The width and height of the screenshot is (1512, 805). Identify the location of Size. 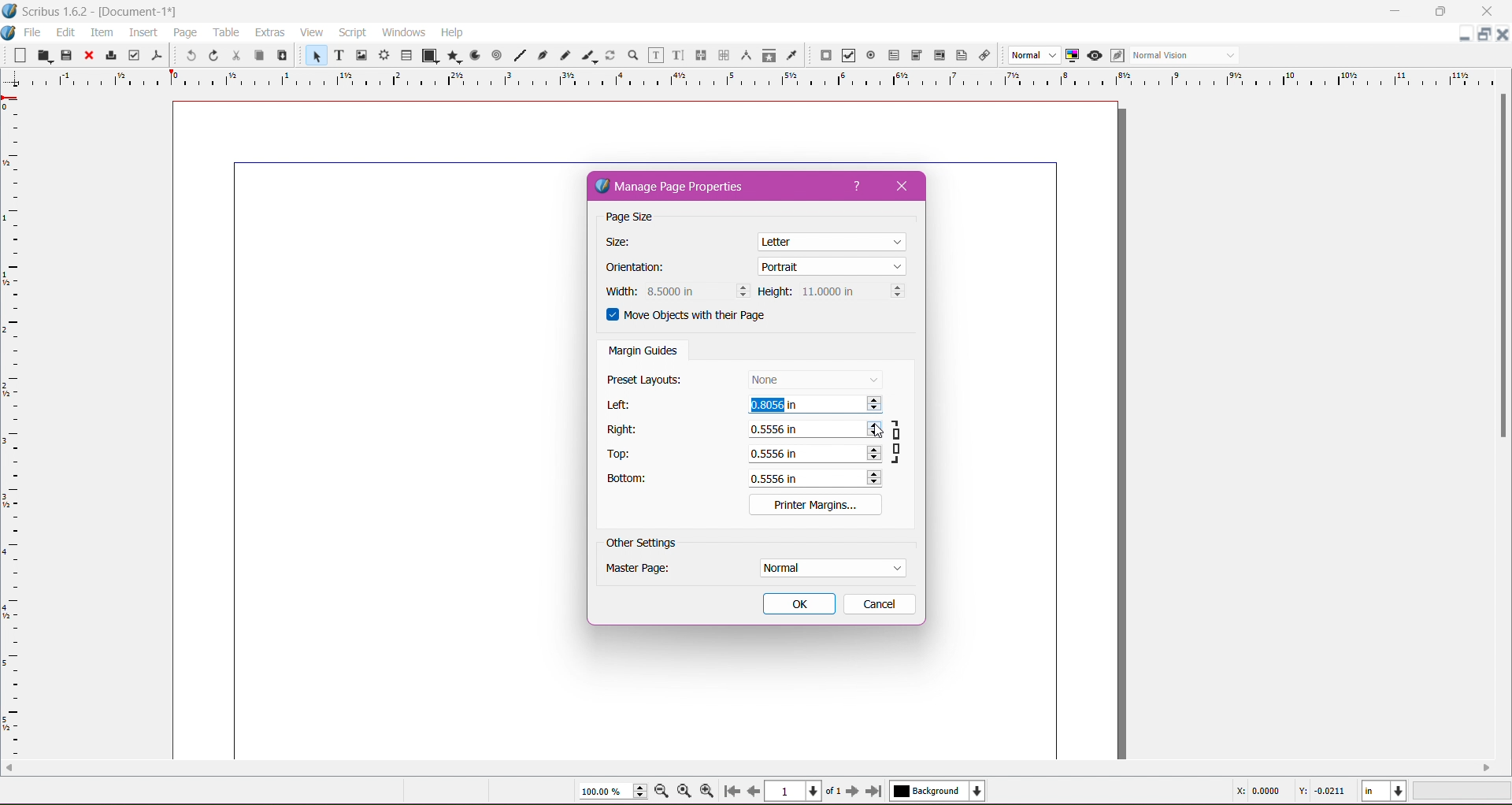
(625, 243).